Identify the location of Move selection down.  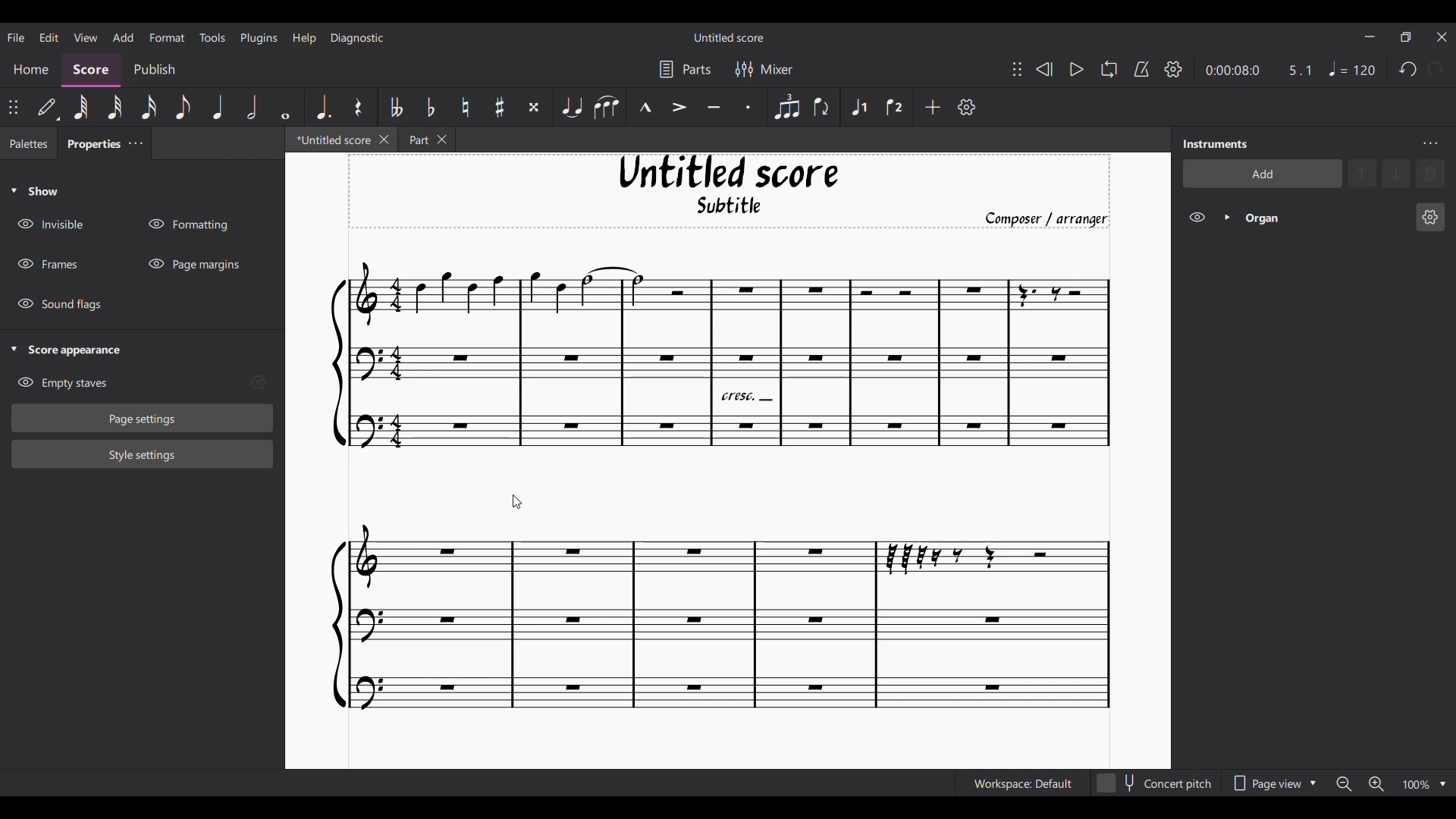
(1398, 174).